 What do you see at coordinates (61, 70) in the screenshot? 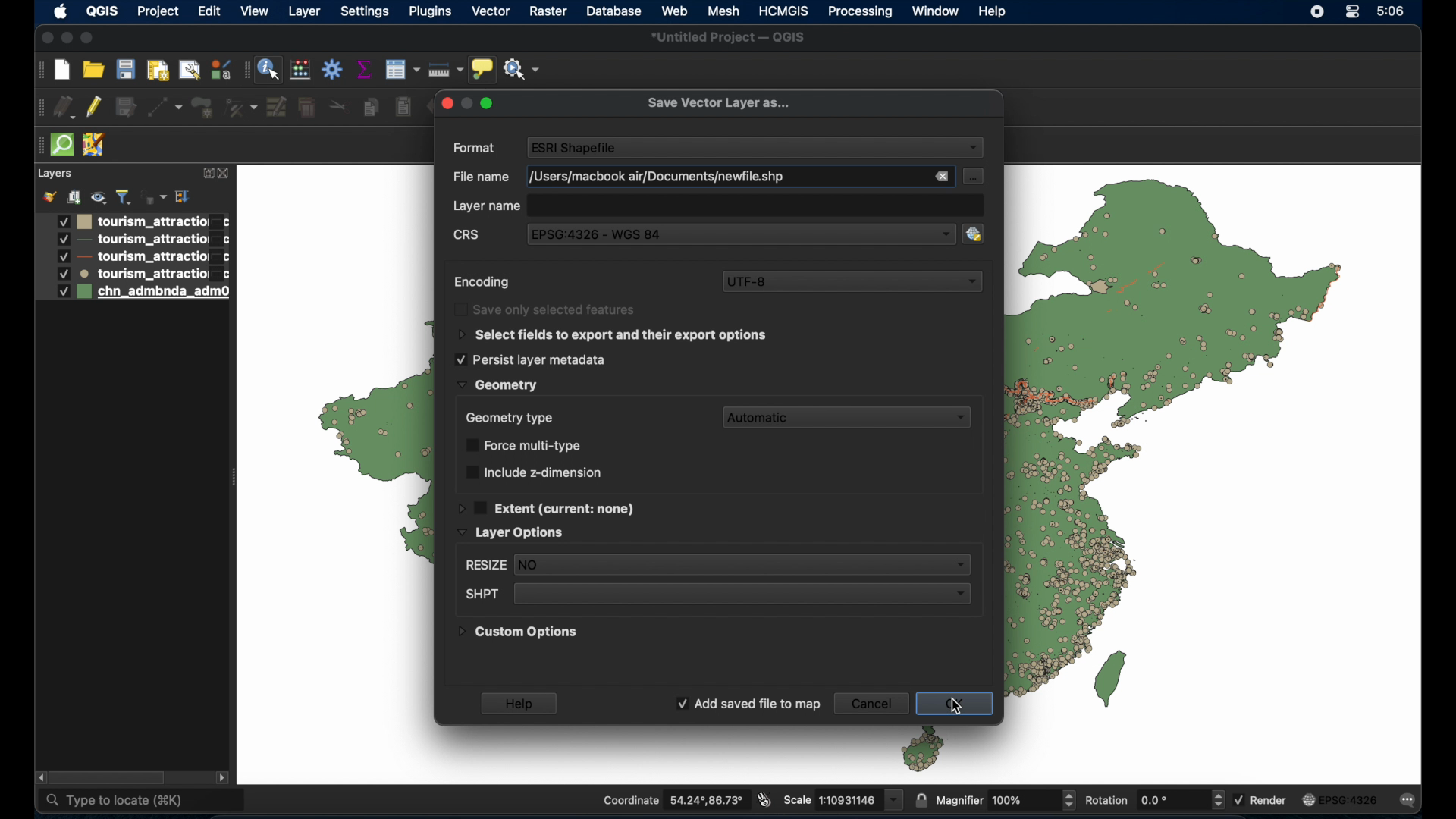
I see `new project` at bounding box center [61, 70].